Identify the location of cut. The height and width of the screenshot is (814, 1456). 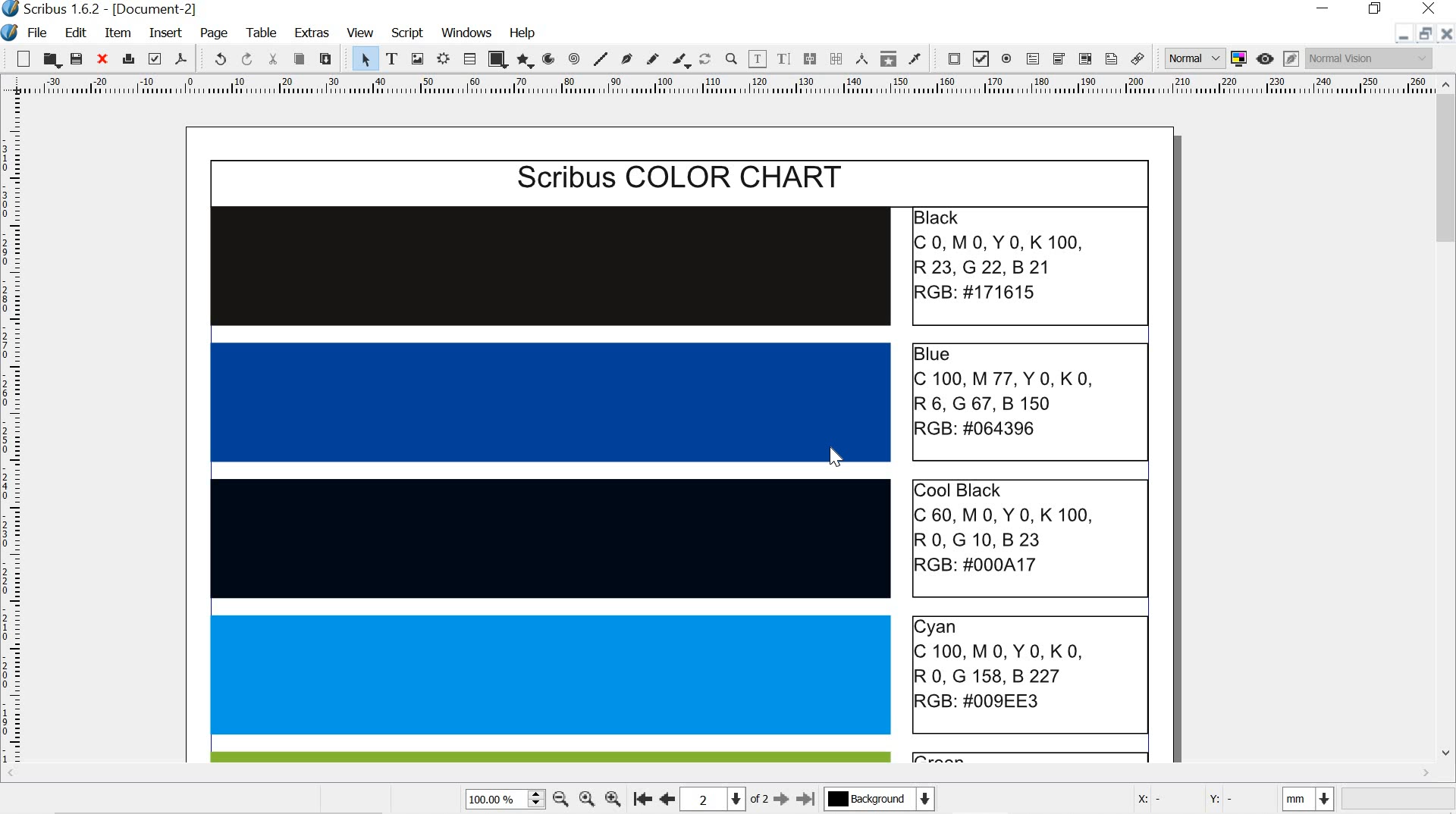
(275, 58).